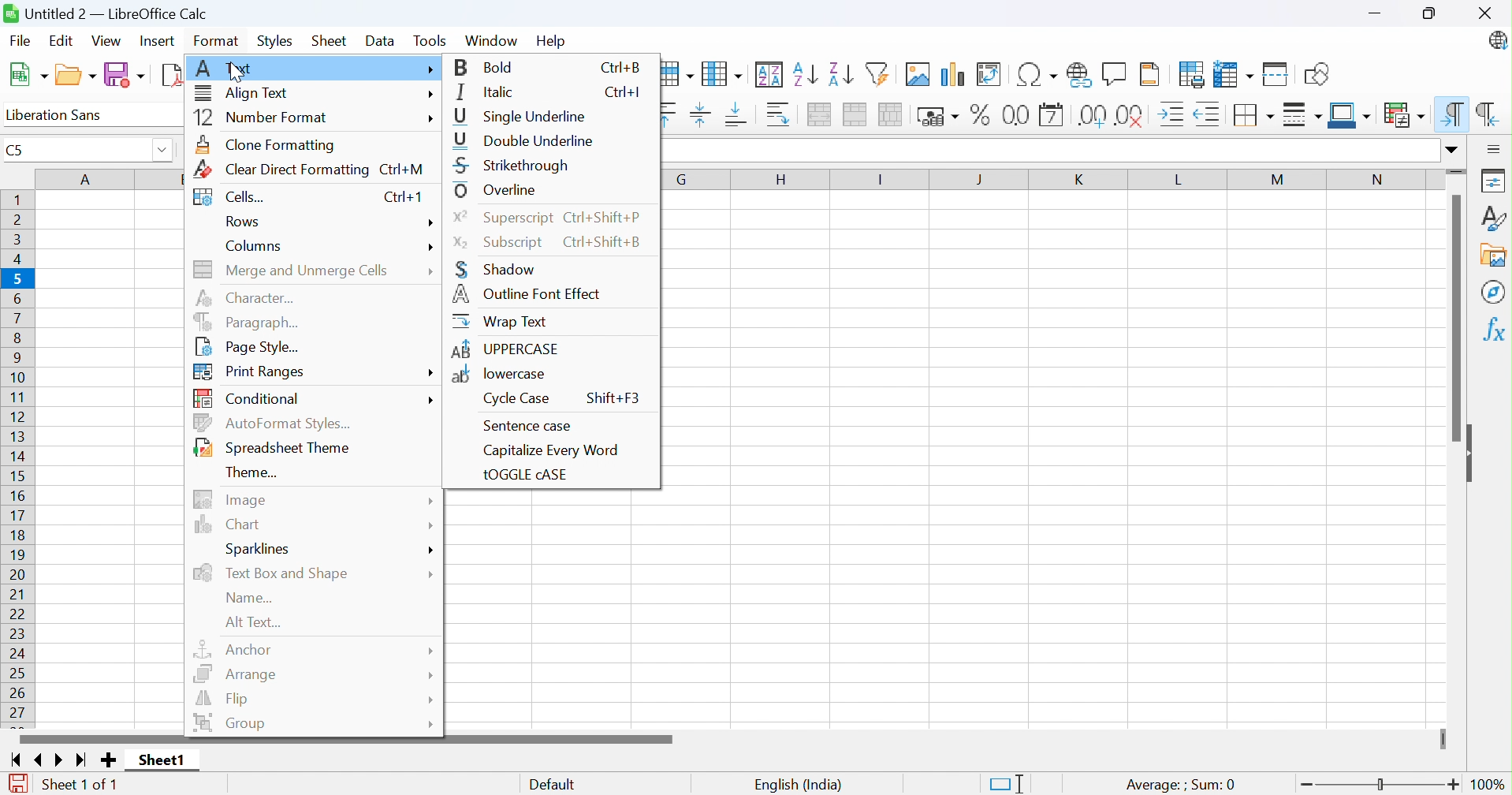 The width and height of the screenshot is (1512, 795). Describe the element at coordinates (1429, 15) in the screenshot. I see `Restore down` at that location.